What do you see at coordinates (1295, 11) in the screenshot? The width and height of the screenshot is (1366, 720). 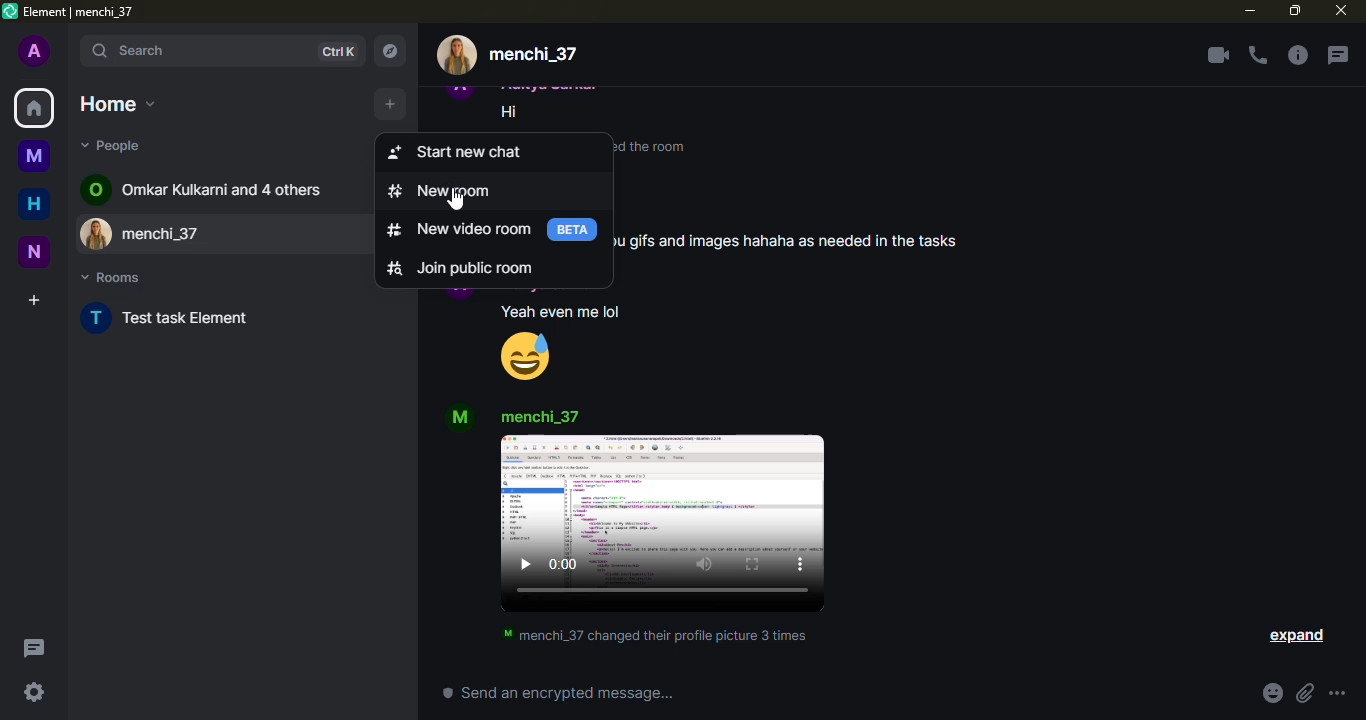 I see `maximize` at bounding box center [1295, 11].